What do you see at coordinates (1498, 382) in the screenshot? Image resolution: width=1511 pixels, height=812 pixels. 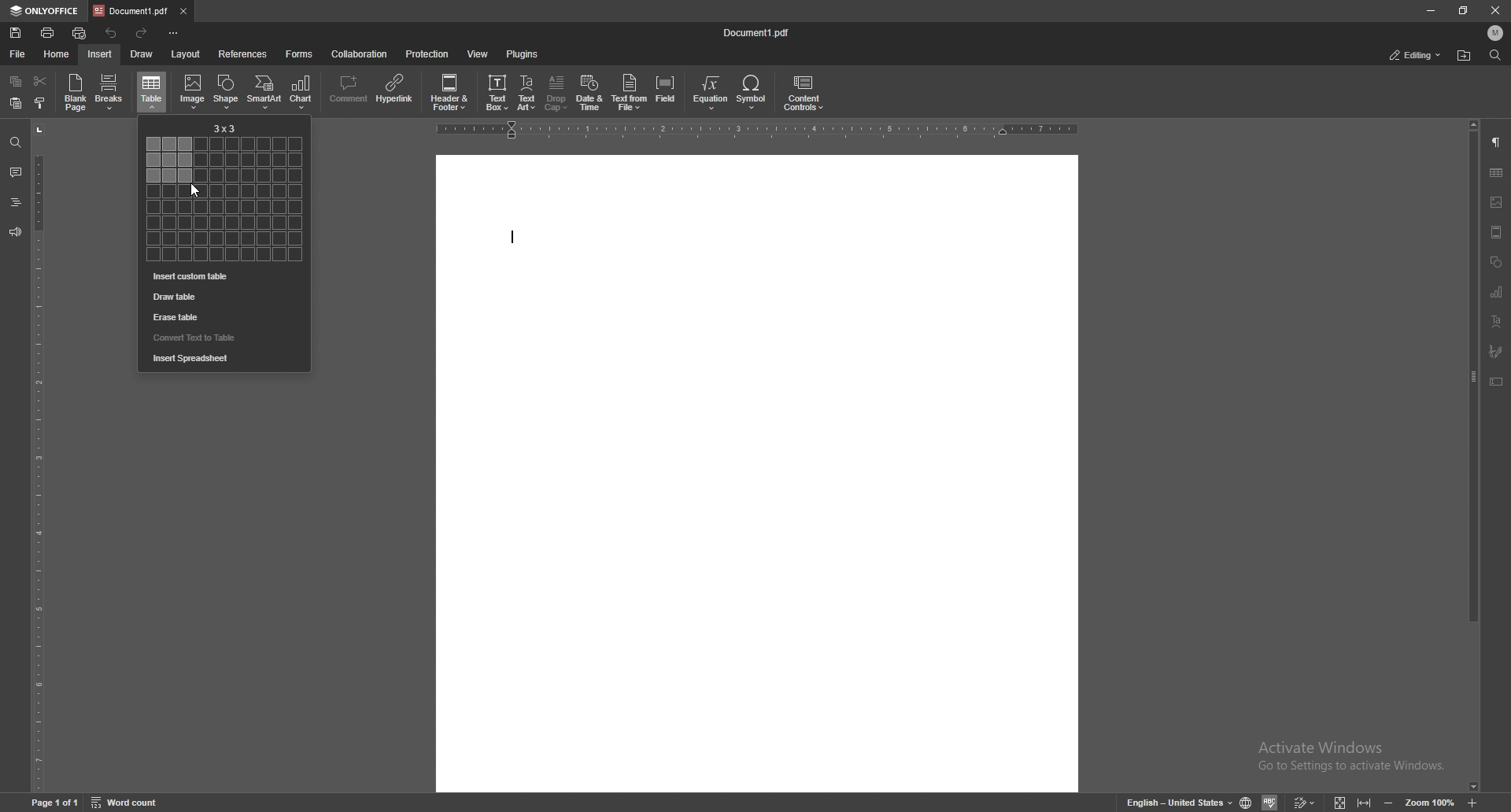 I see `text box` at bounding box center [1498, 382].